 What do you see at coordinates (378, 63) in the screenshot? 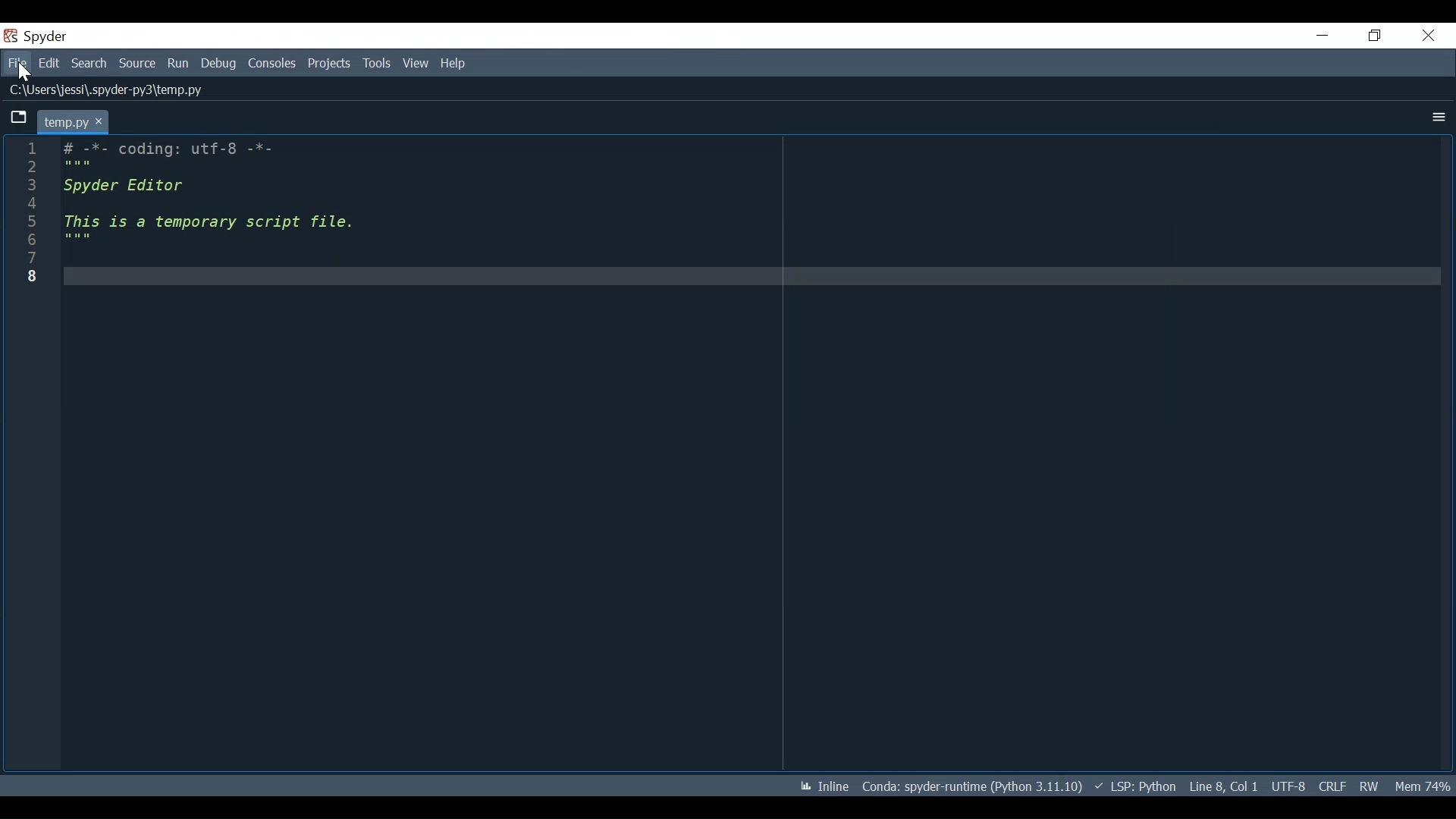
I see `Tools` at bounding box center [378, 63].